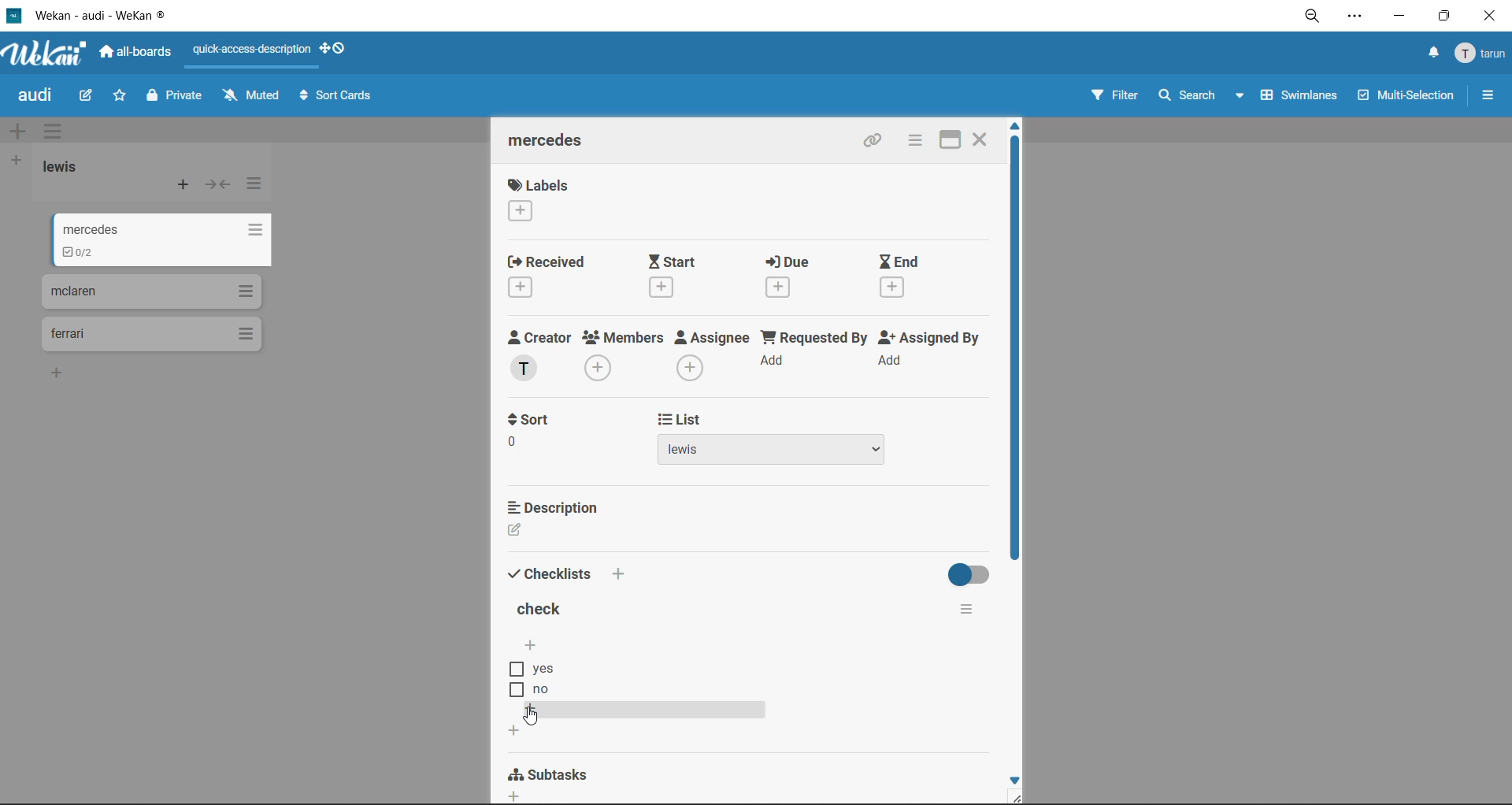 This screenshot has height=805, width=1512. What do you see at coordinates (1444, 17) in the screenshot?
I see `maximize` at bounding box center [1444, 17].